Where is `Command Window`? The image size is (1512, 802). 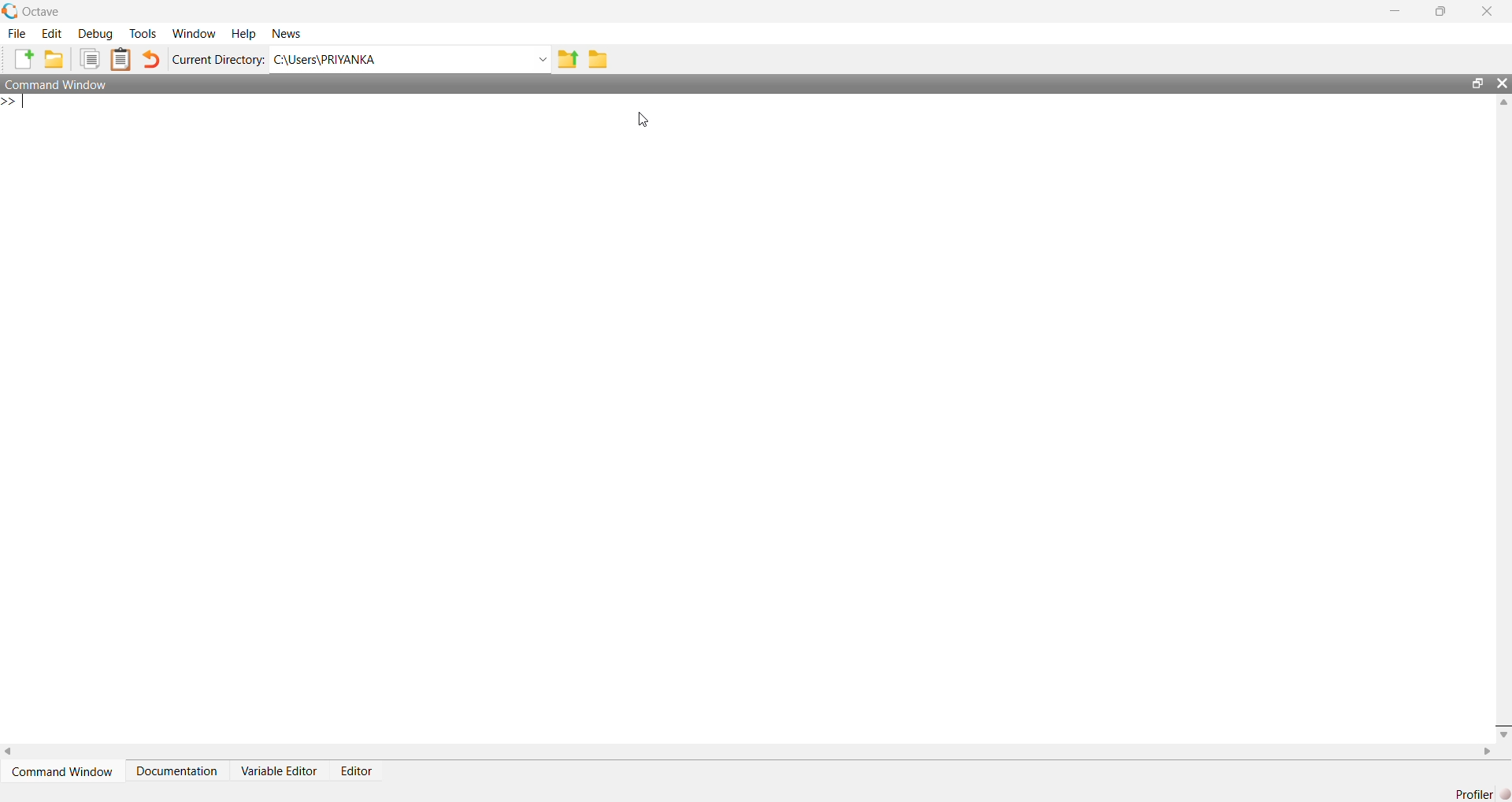
Command Window is located at coordinates (62, 771).